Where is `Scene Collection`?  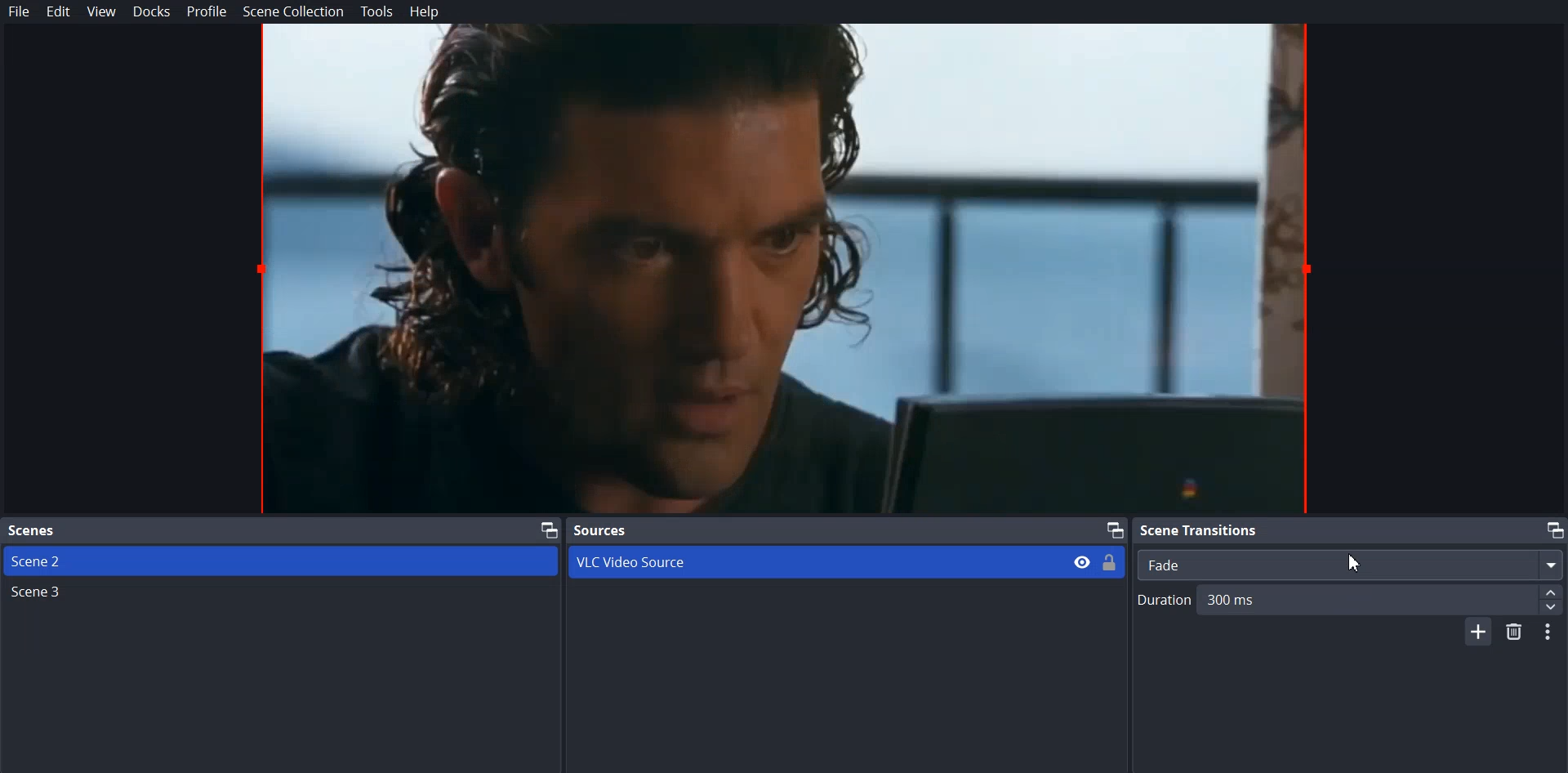
Scene Collection is located at coordinates (293, 11).